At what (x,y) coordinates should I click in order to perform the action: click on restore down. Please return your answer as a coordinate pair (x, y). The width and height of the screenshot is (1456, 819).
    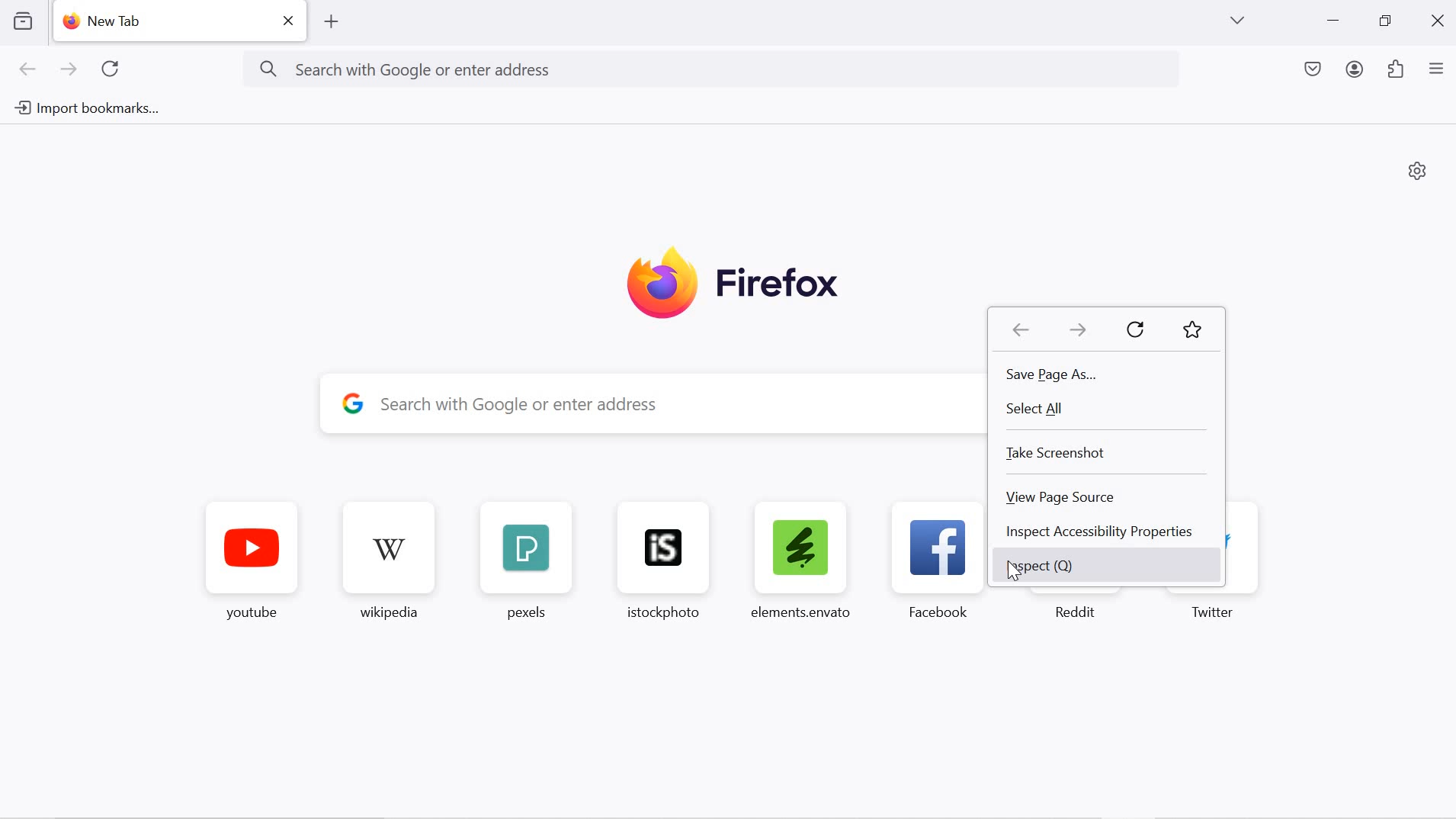
    Looking at the image, I should click on (1387, 22).